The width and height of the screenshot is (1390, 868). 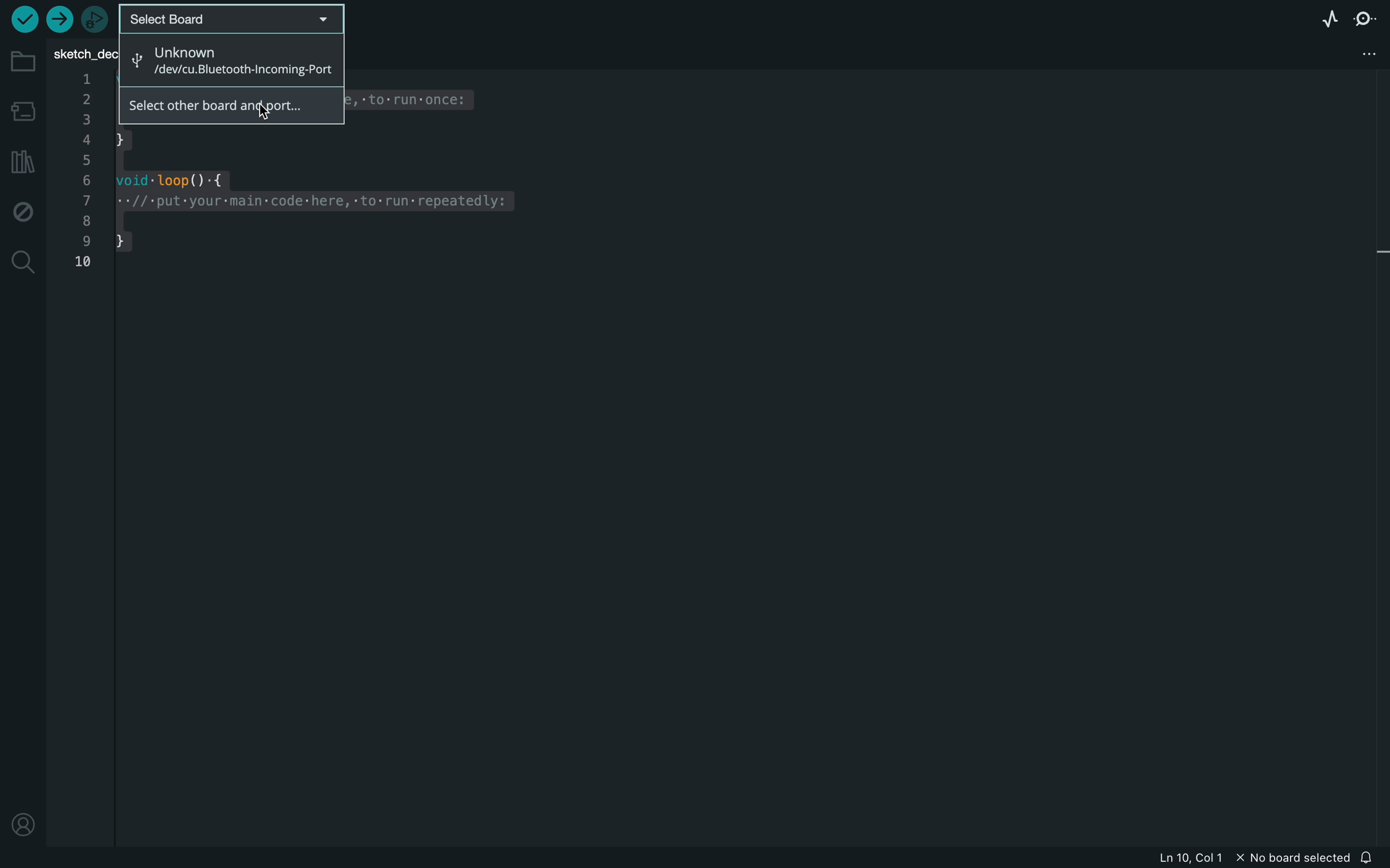 What do you see at coordinates (22, 264) in the screenshot?
I see `search` at bounding box center [22, 264].